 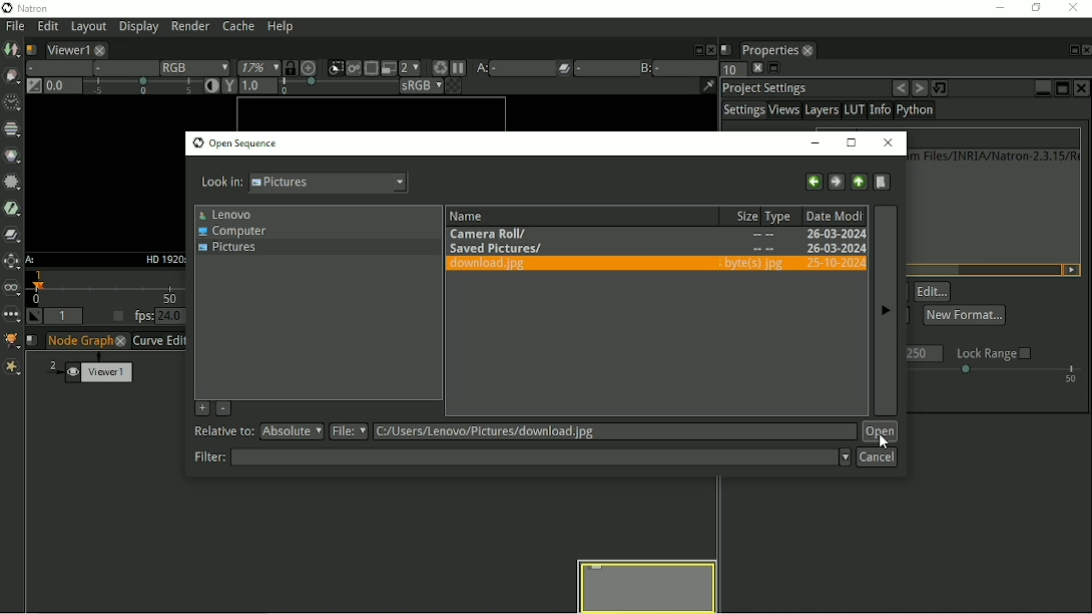 I want to click on Maximize, so click(x=1062, y=88).